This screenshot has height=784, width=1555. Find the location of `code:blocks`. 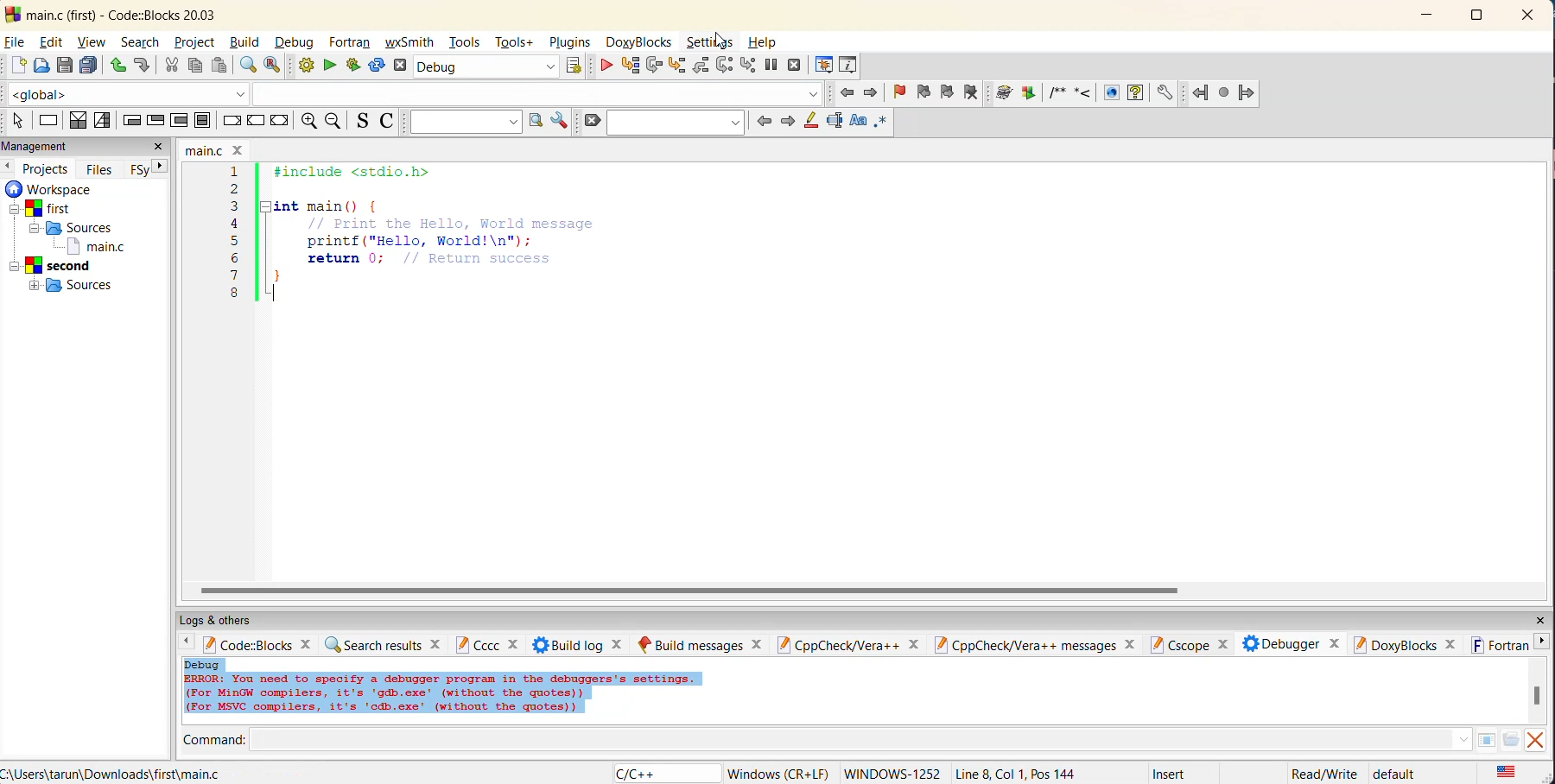

code:blocks is located at coordinates (263, 643).